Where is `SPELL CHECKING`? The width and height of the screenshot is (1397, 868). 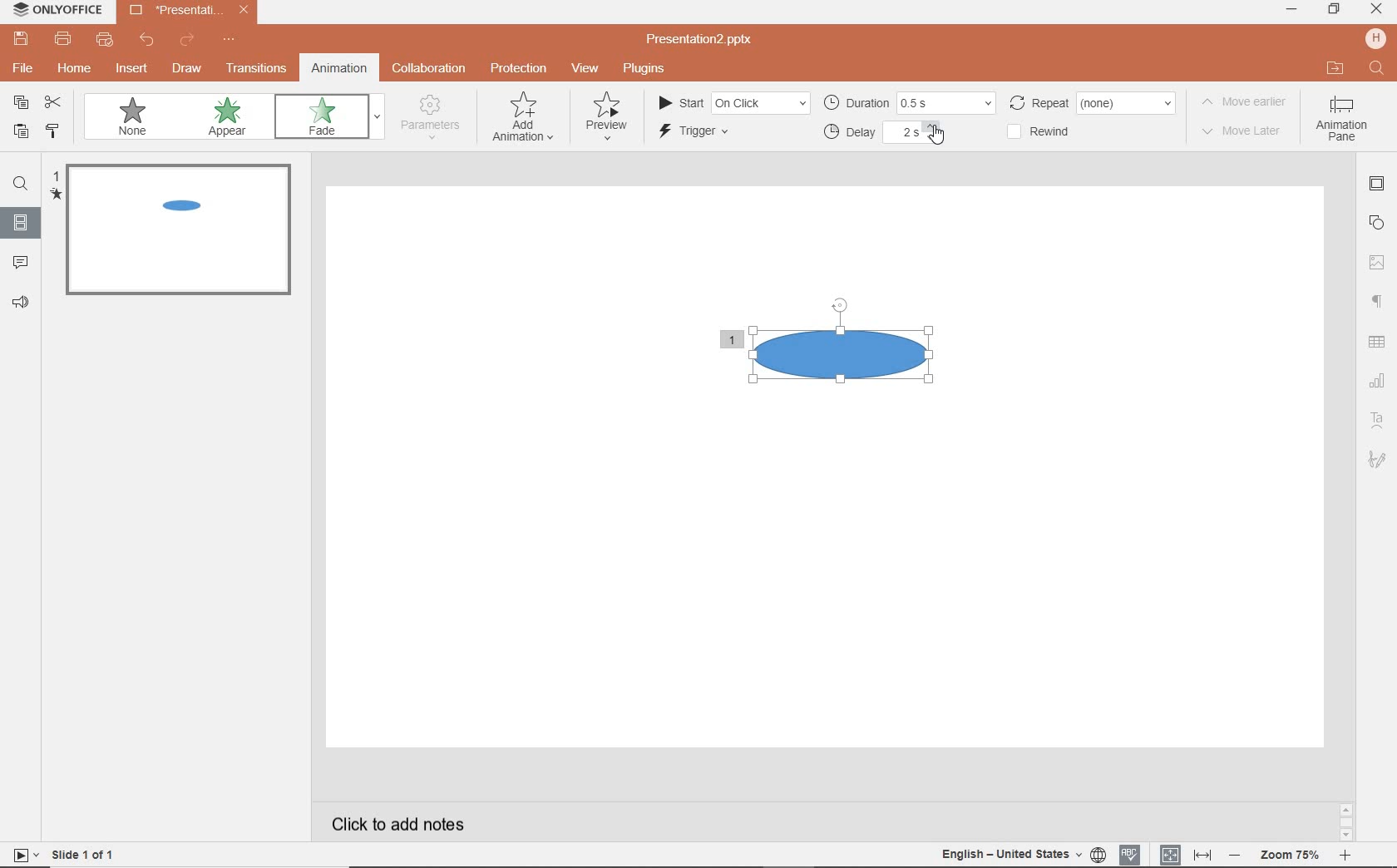 SPELL CHECKING is located at coordinates (1131, 856).